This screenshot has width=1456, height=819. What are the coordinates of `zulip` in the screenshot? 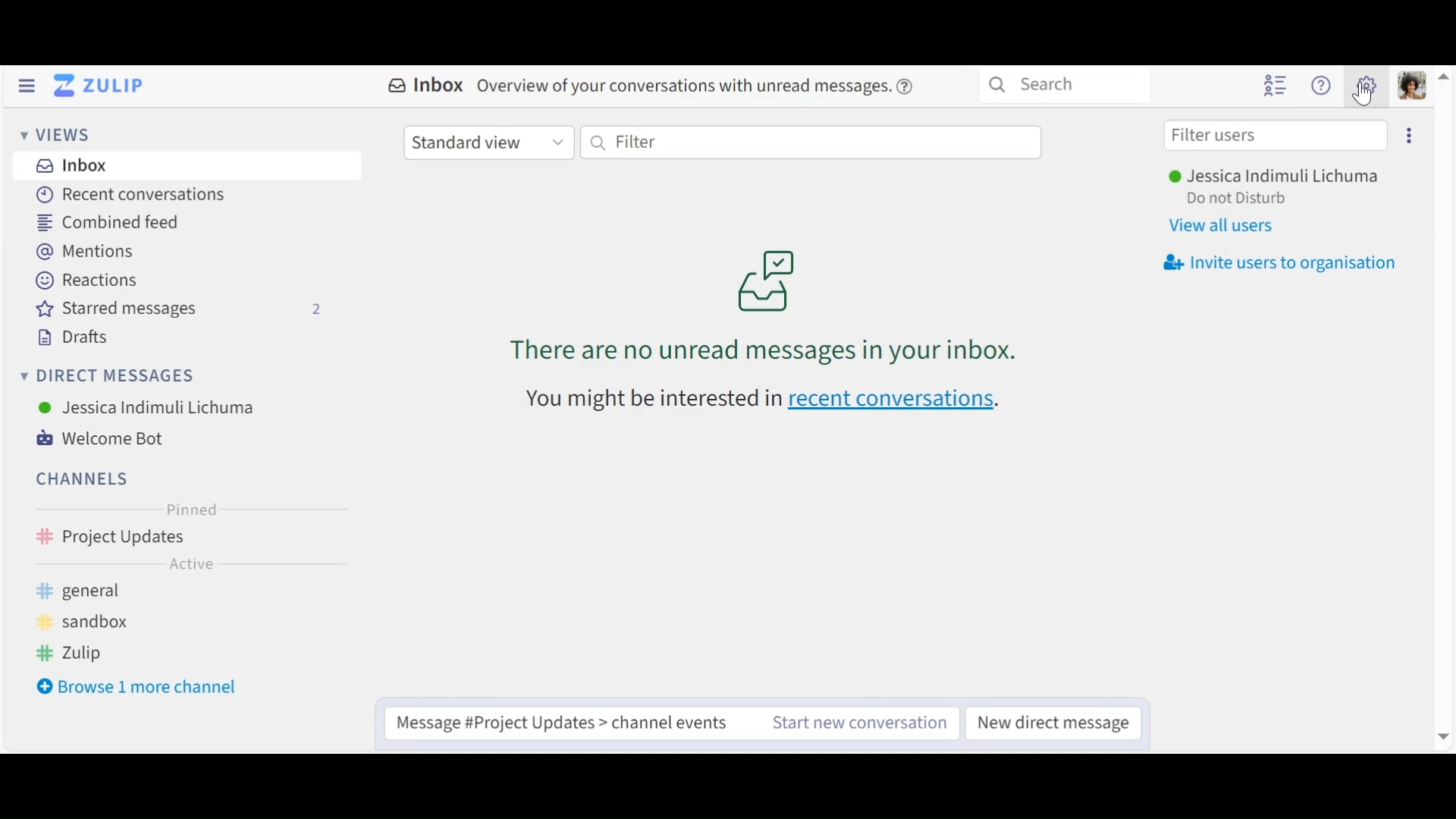 It's located at (80, 656).